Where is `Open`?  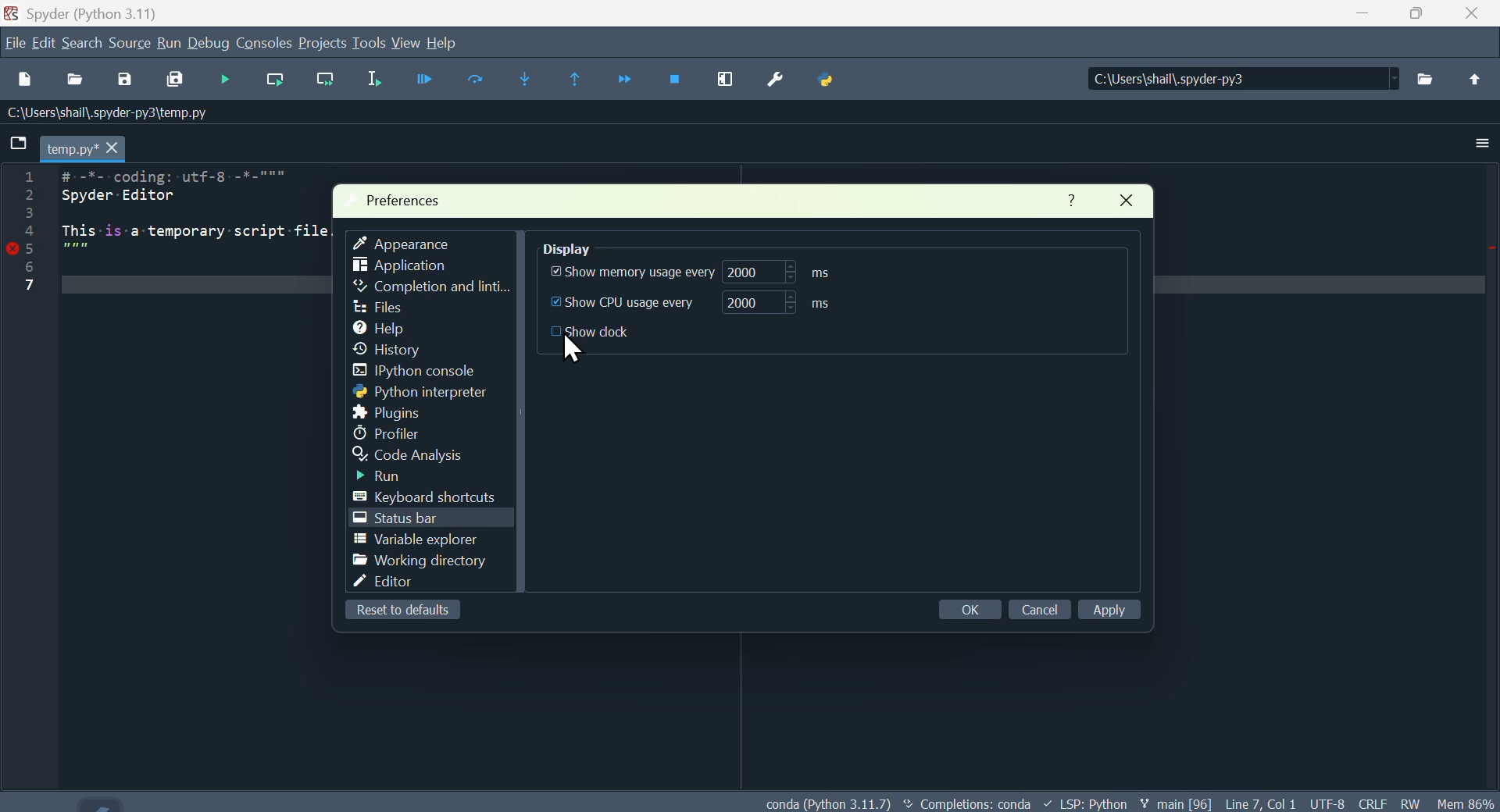 Open is located at coordinates (77, 79).